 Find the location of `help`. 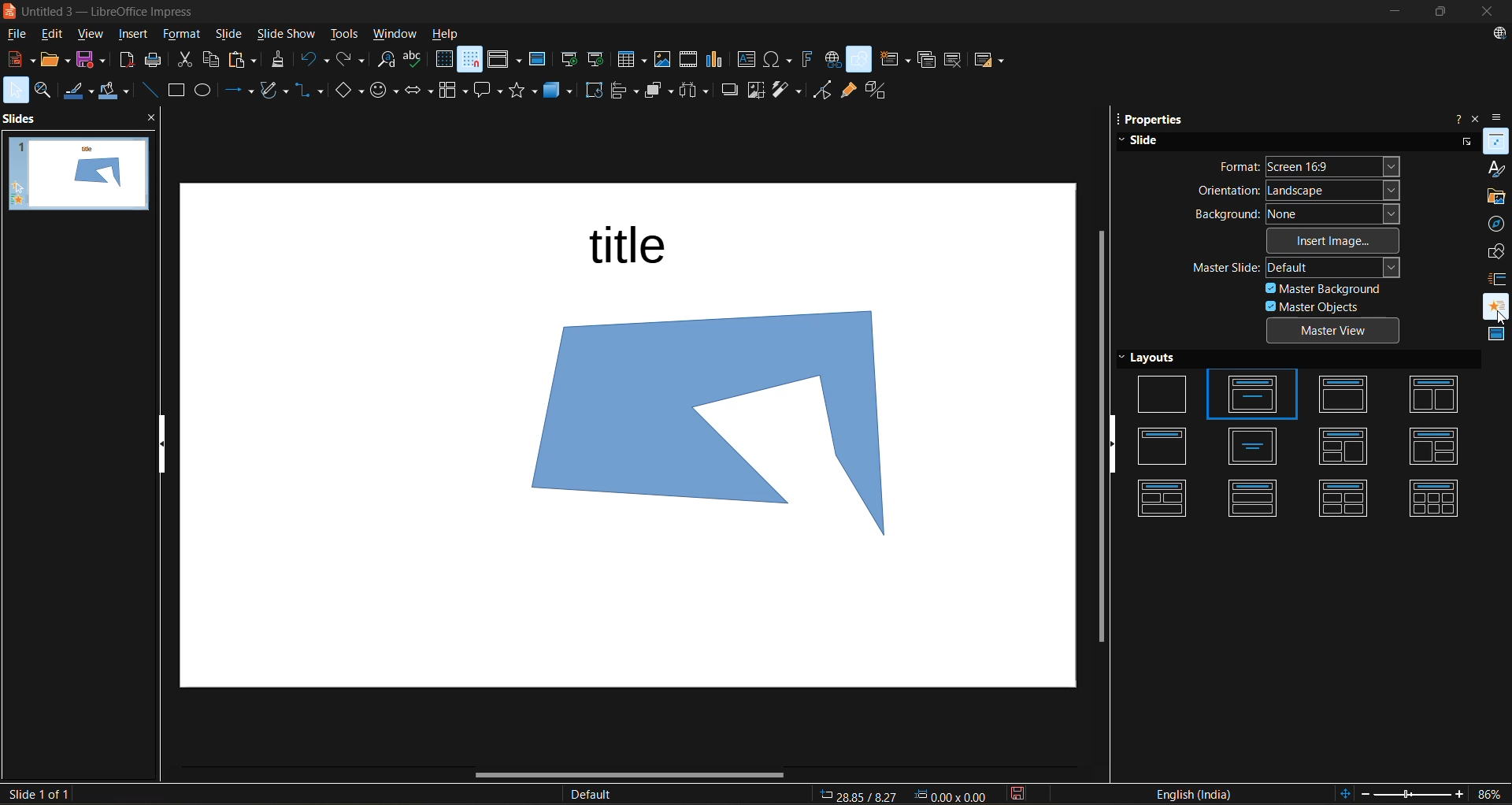

help is located at coordinates (447, 34).